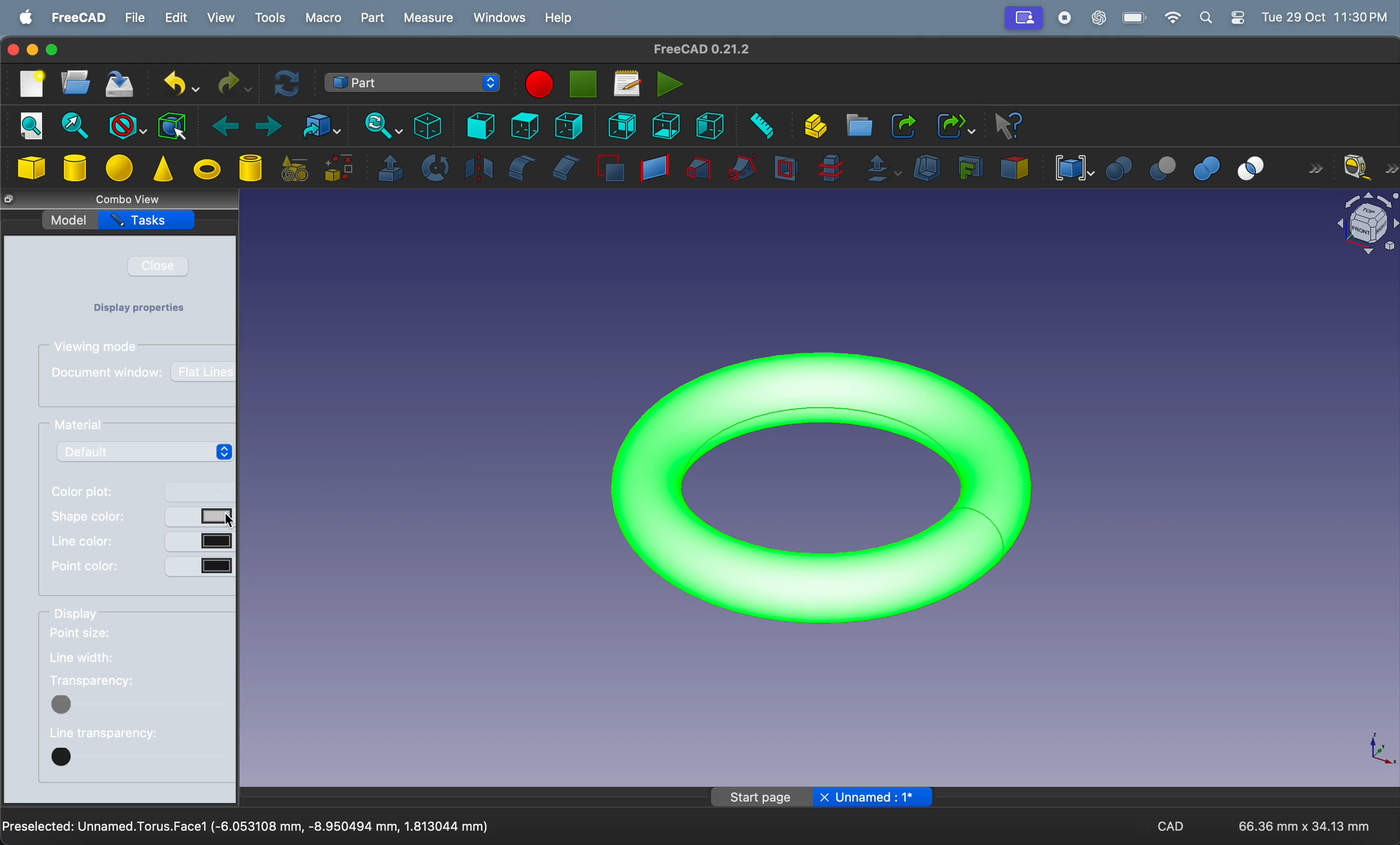 Image resolution: width=1400 pixels, height=845 pixels. Describe the element at coordinates (1174, 17) in the screenshot. I see `wifi` at that location.